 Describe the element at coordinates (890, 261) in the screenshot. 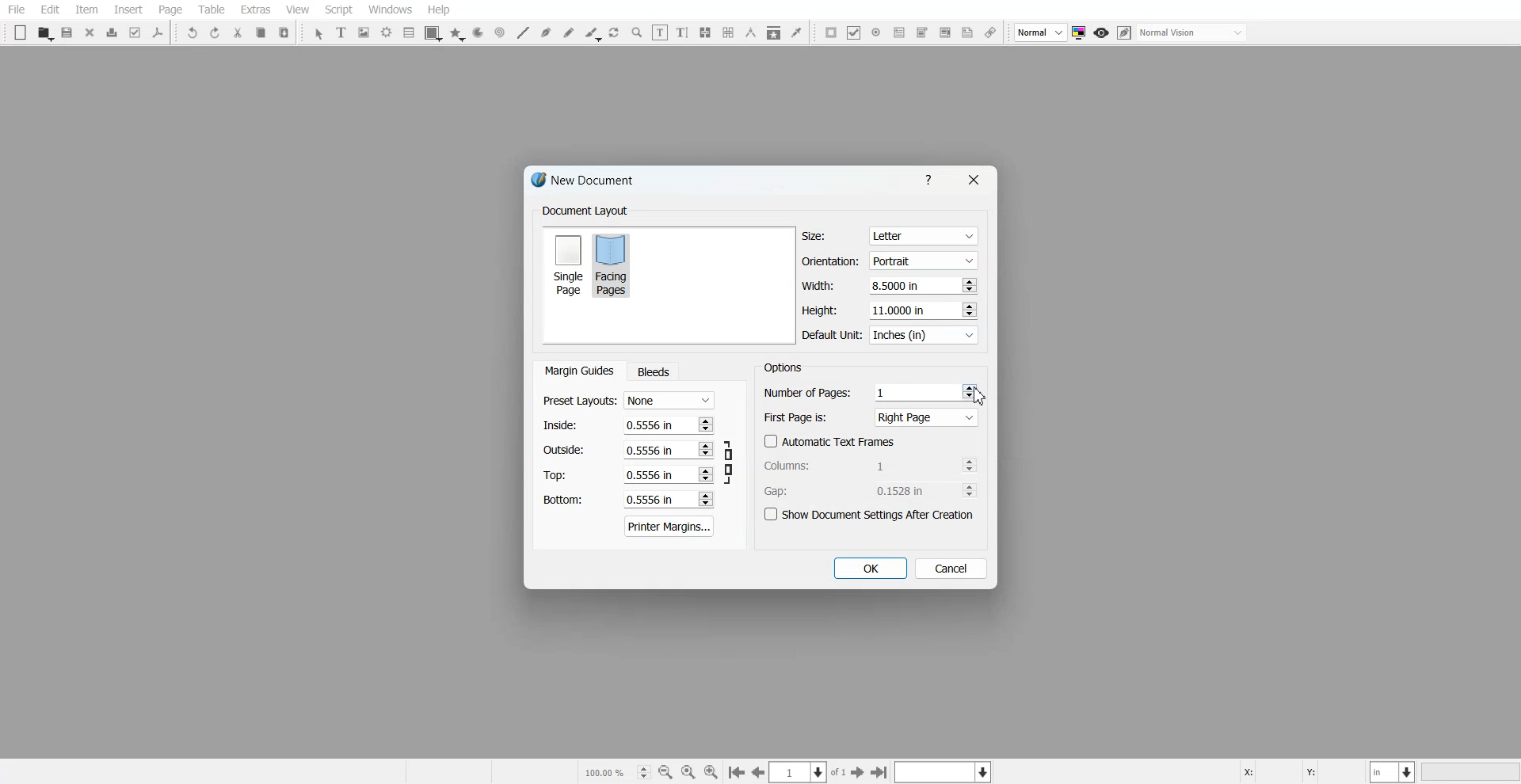

I see `Orientation` at that location.